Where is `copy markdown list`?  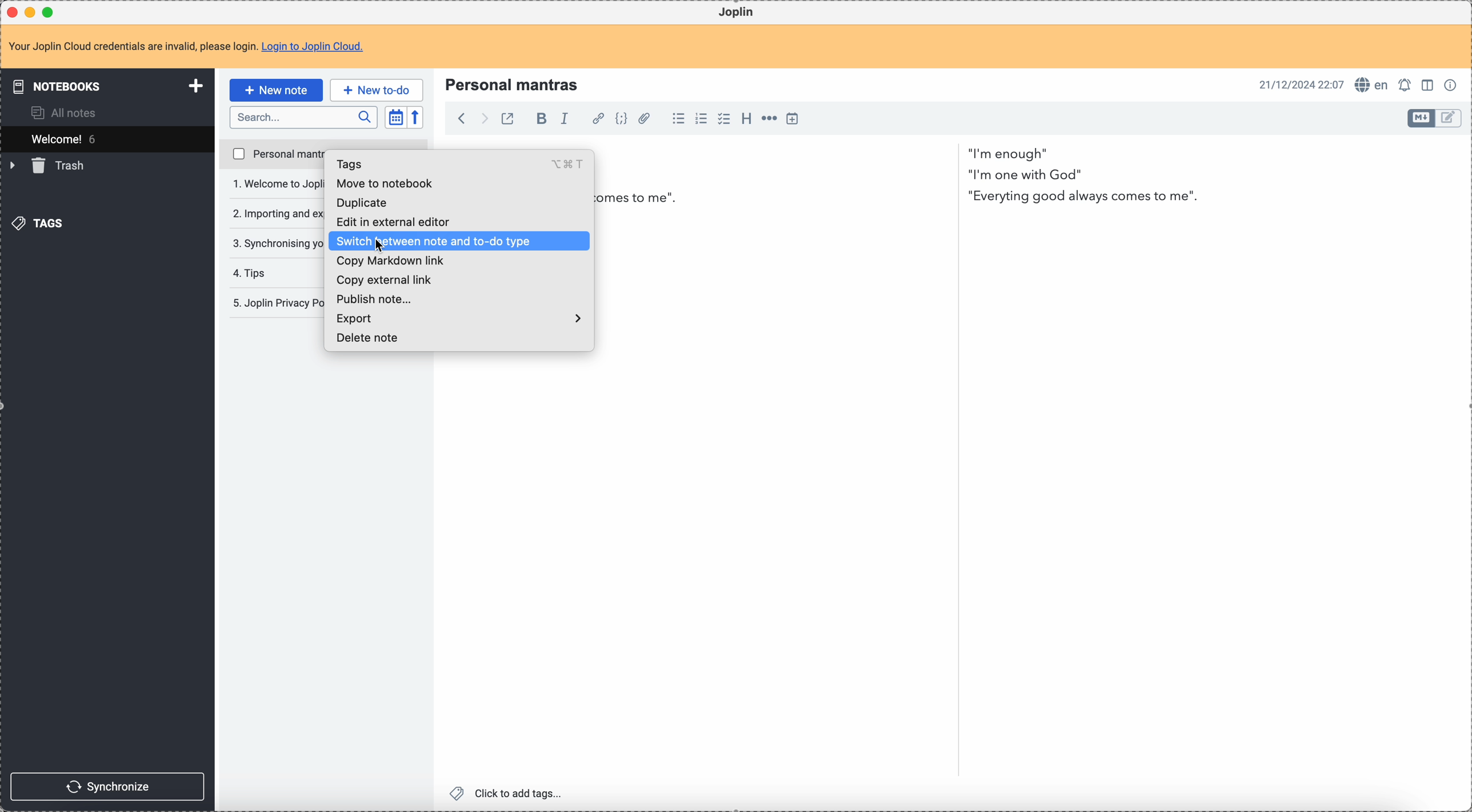 copy markdown list is located at coordinates (393, 262).